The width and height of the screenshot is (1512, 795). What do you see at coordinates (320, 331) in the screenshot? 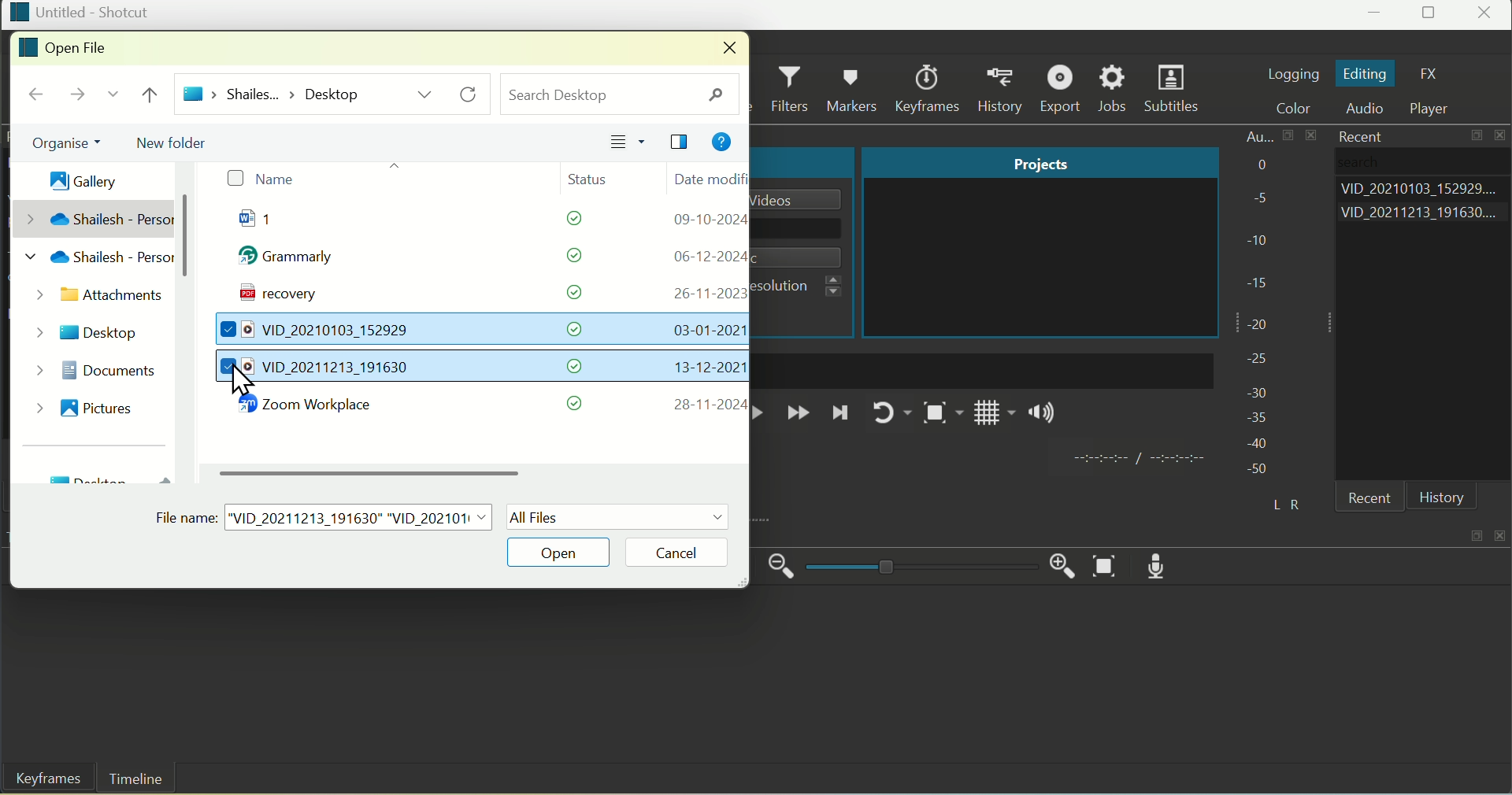
I see `Video Files` at bounding box center [320, 331].